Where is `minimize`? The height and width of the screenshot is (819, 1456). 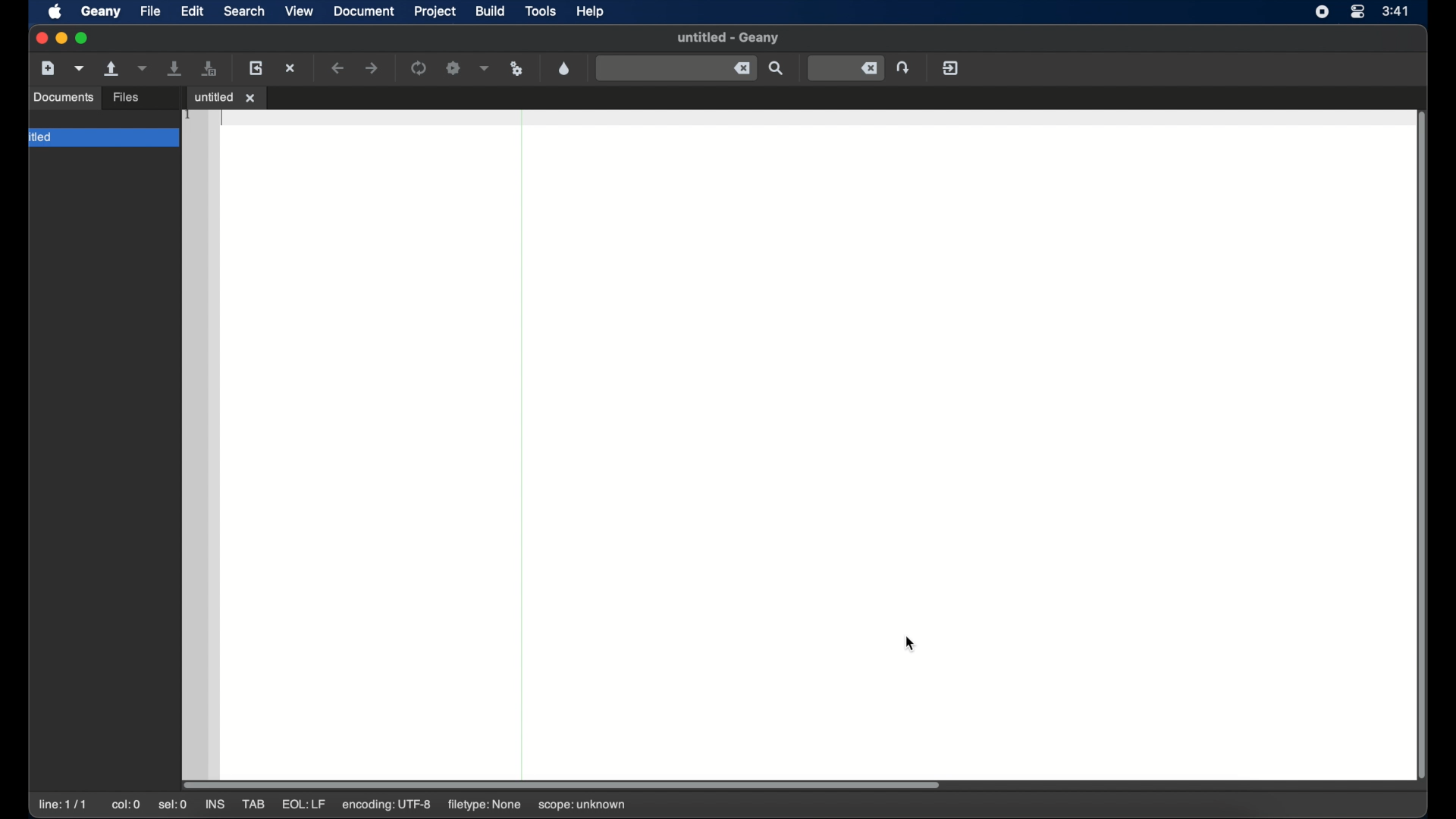
minimize is located at coordinates (61, 38).